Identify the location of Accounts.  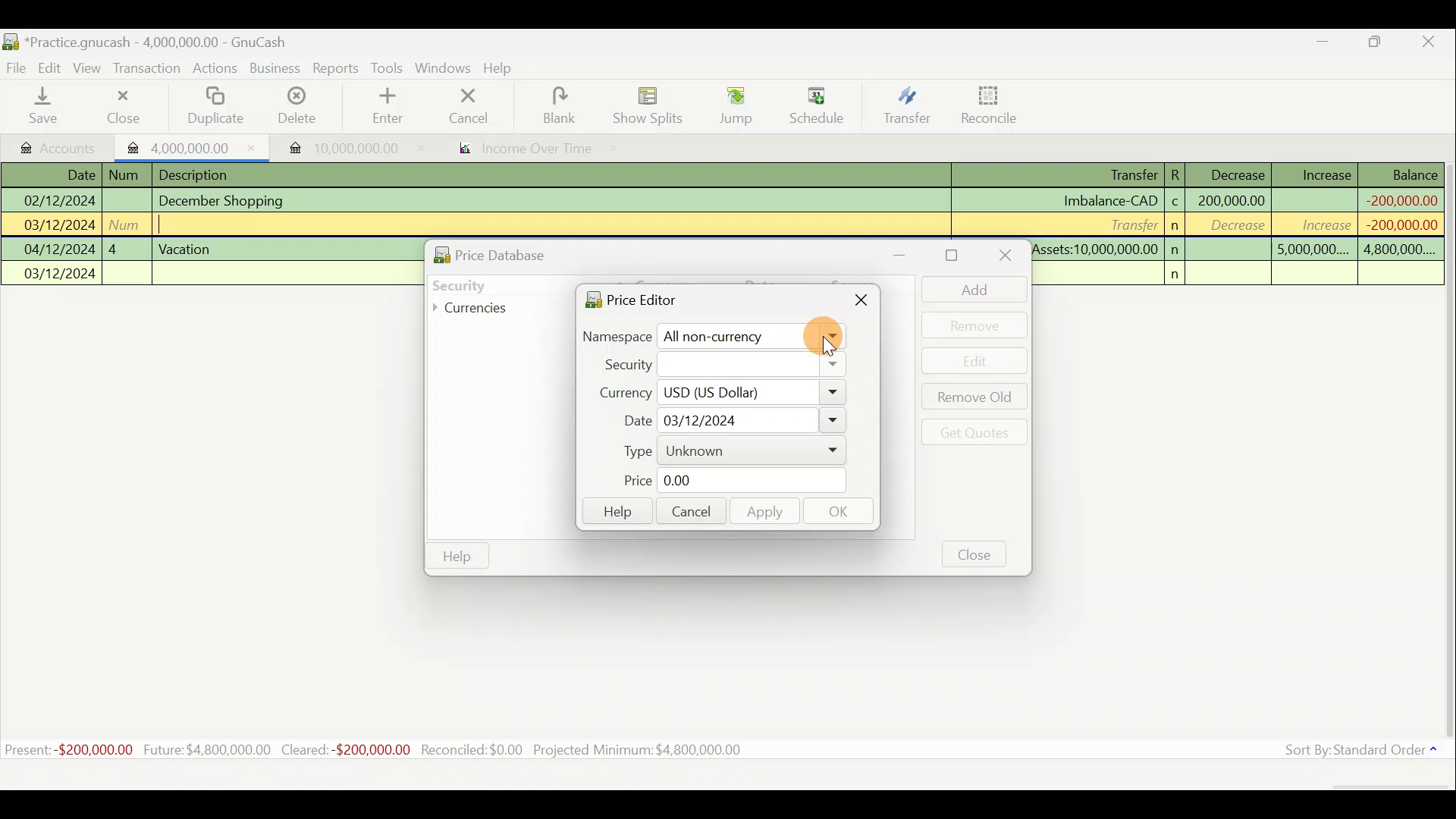
(53, 145).